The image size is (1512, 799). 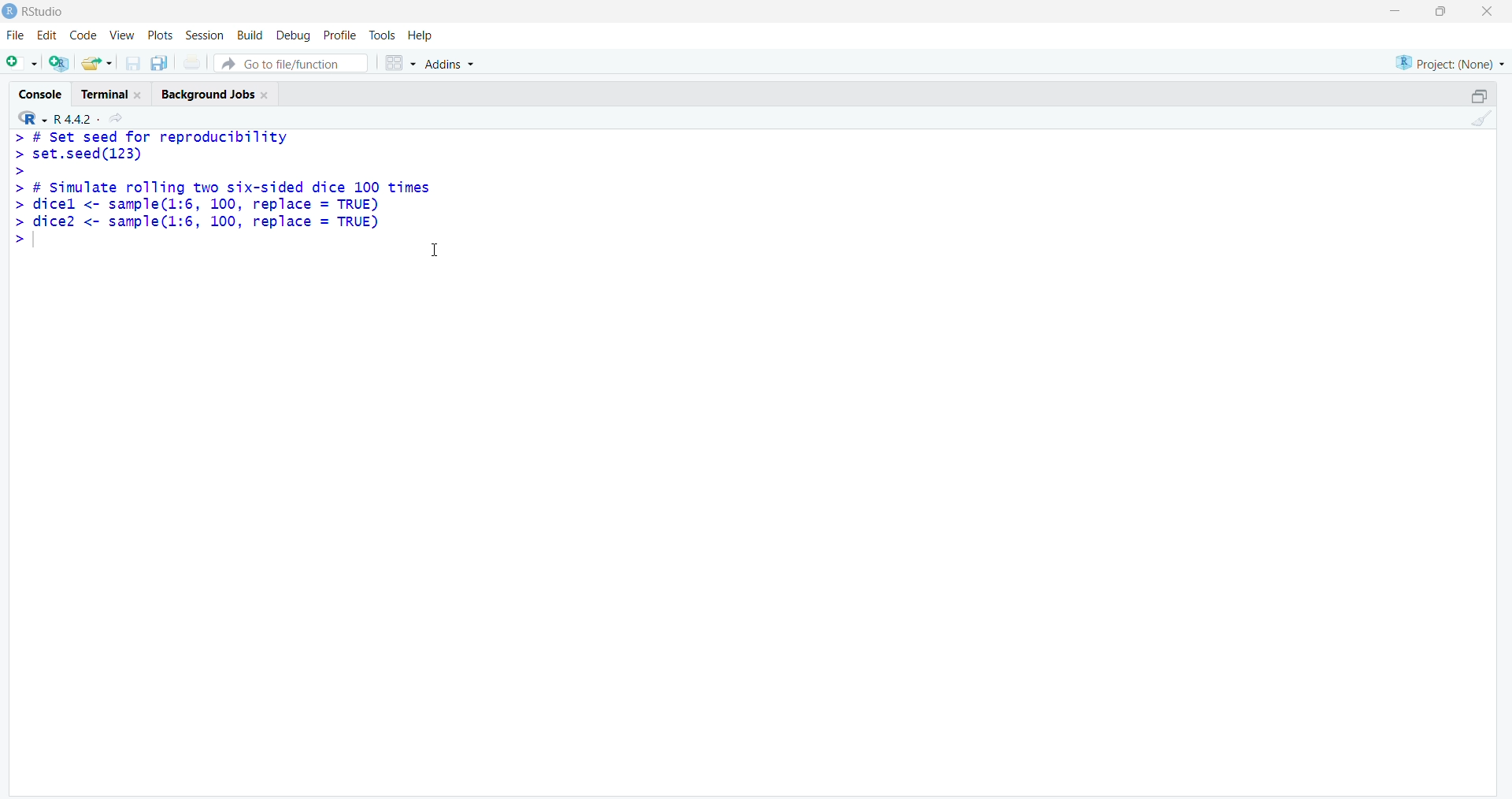 I want to click on add file as, so click(x=23, y=63).